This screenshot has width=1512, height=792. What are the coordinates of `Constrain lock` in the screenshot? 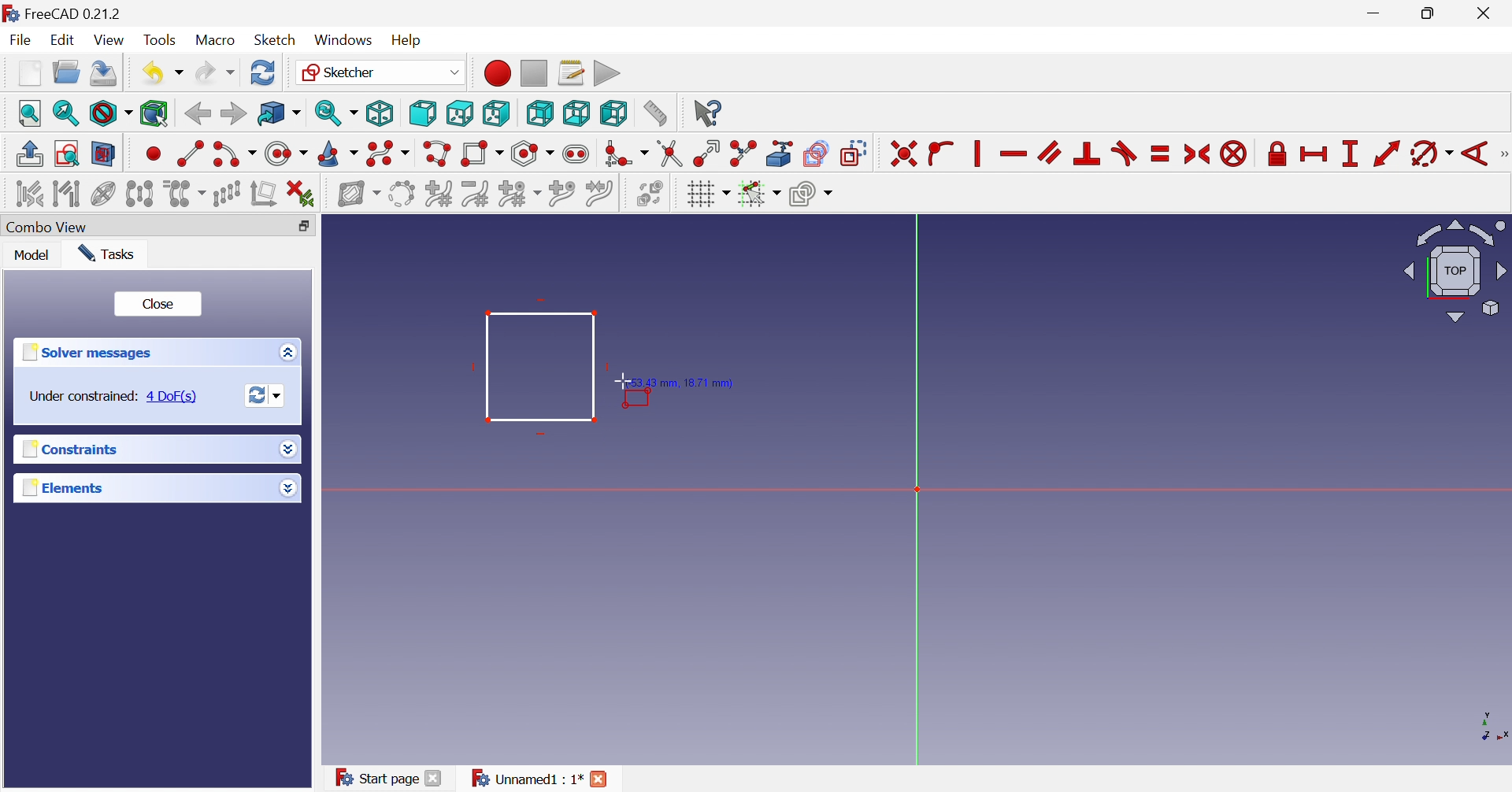 It's located at (1277, 152).